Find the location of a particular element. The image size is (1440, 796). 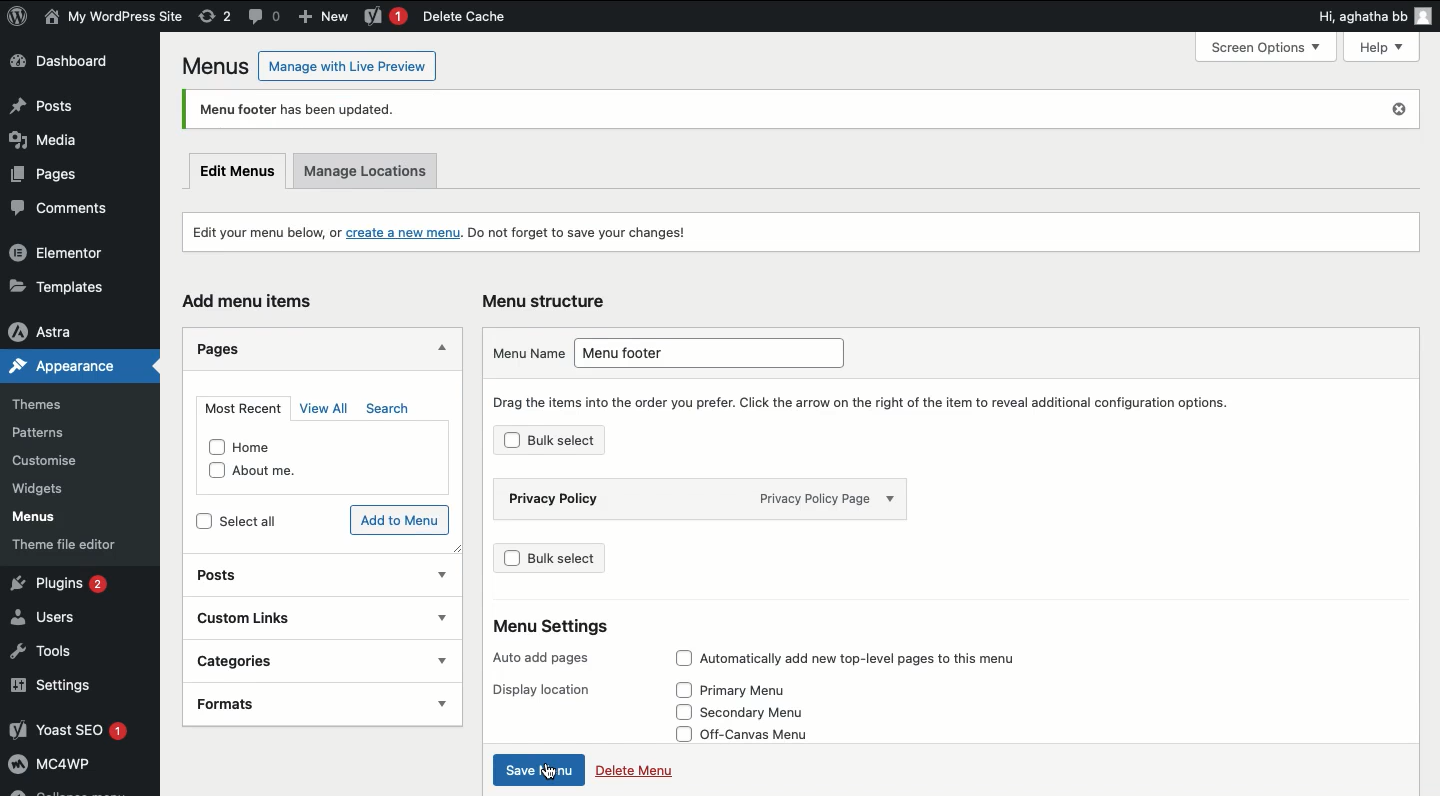

New is located at coordinates (327, 18).